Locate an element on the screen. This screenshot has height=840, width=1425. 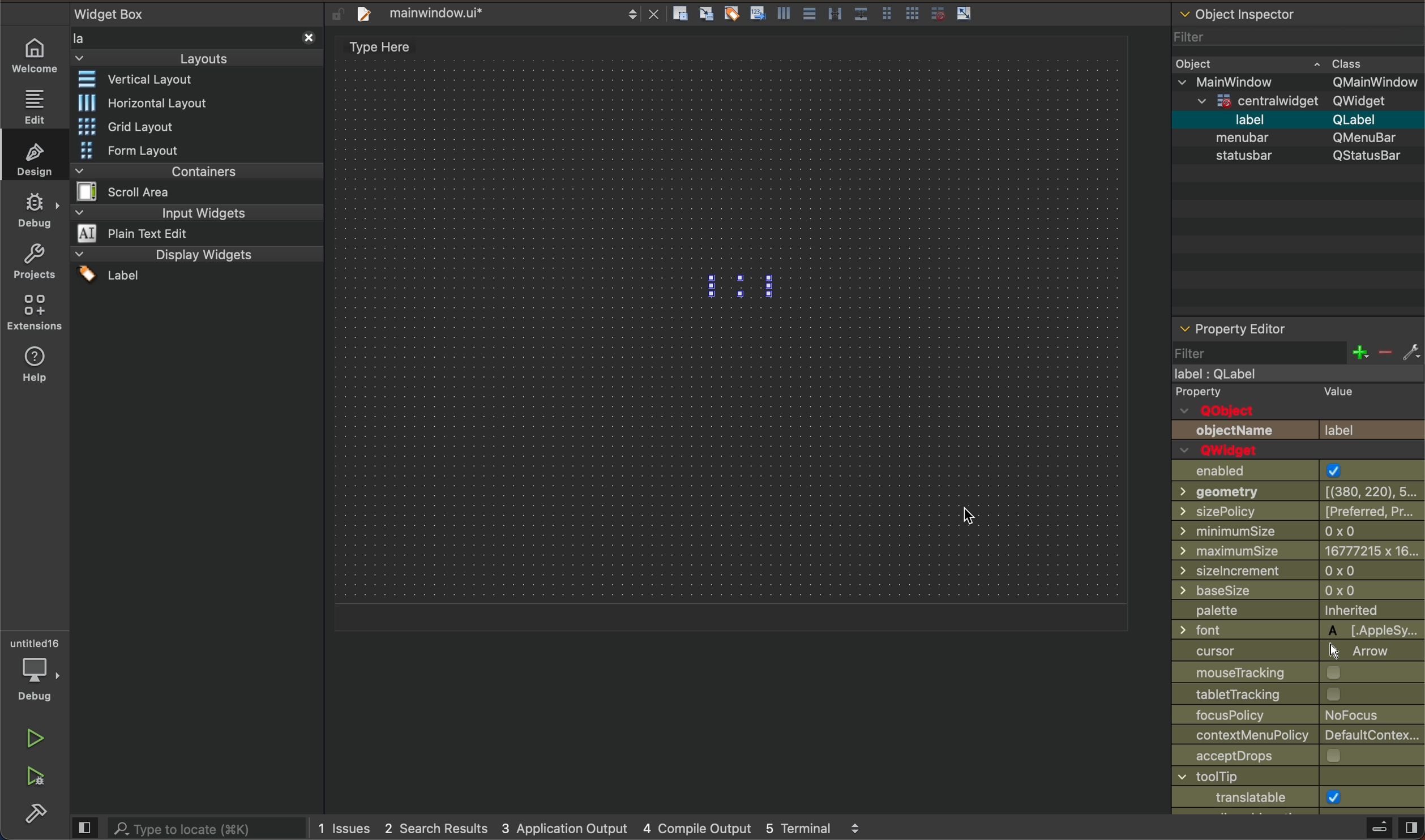
horizontal  is located at coordinates (143, 102).